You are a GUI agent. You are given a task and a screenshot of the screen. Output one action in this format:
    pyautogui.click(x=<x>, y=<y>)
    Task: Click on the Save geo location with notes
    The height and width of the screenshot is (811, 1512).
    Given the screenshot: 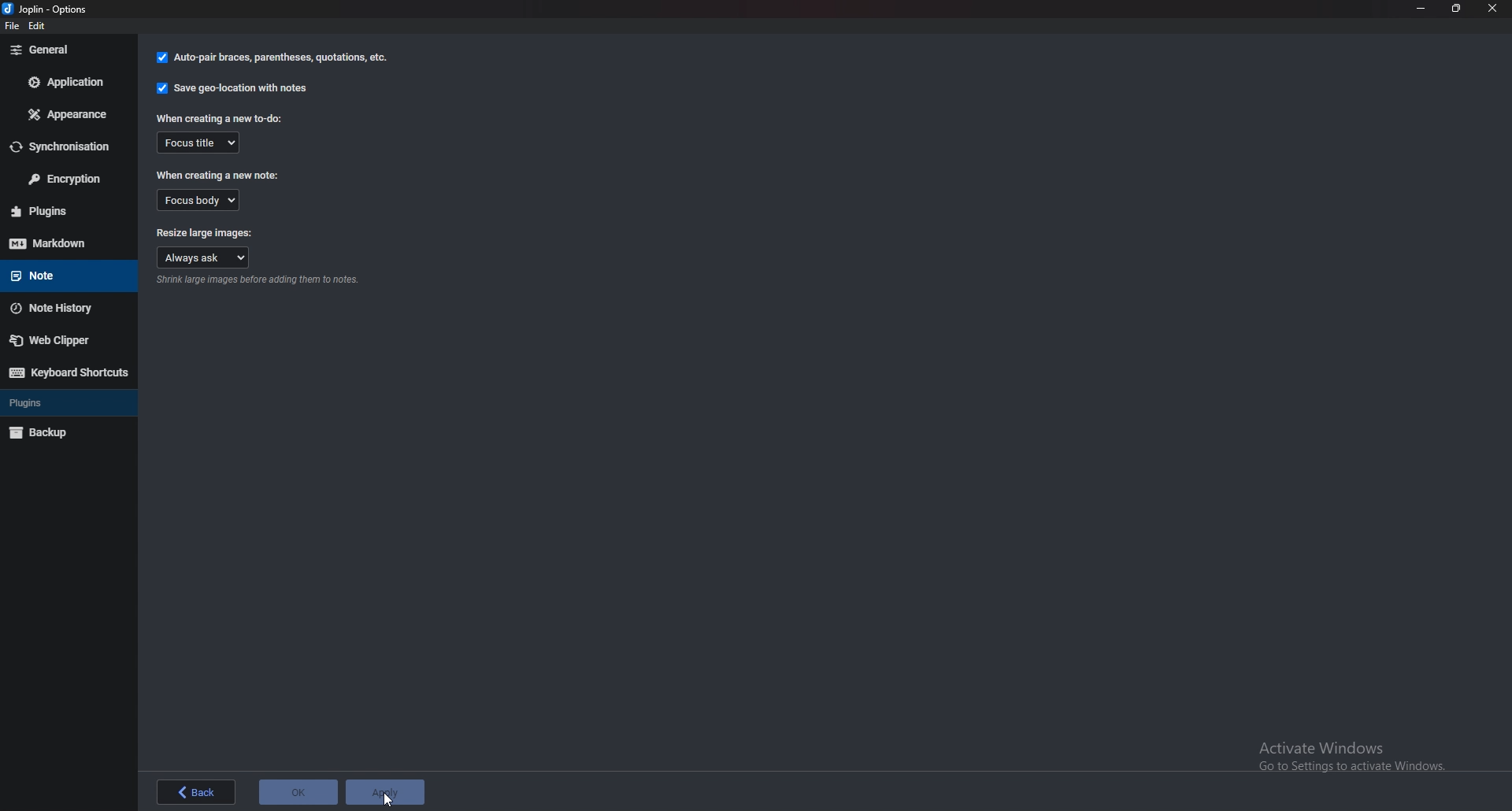 What is the action you would take?
    pyautogui.click(x=238, y=88)
    